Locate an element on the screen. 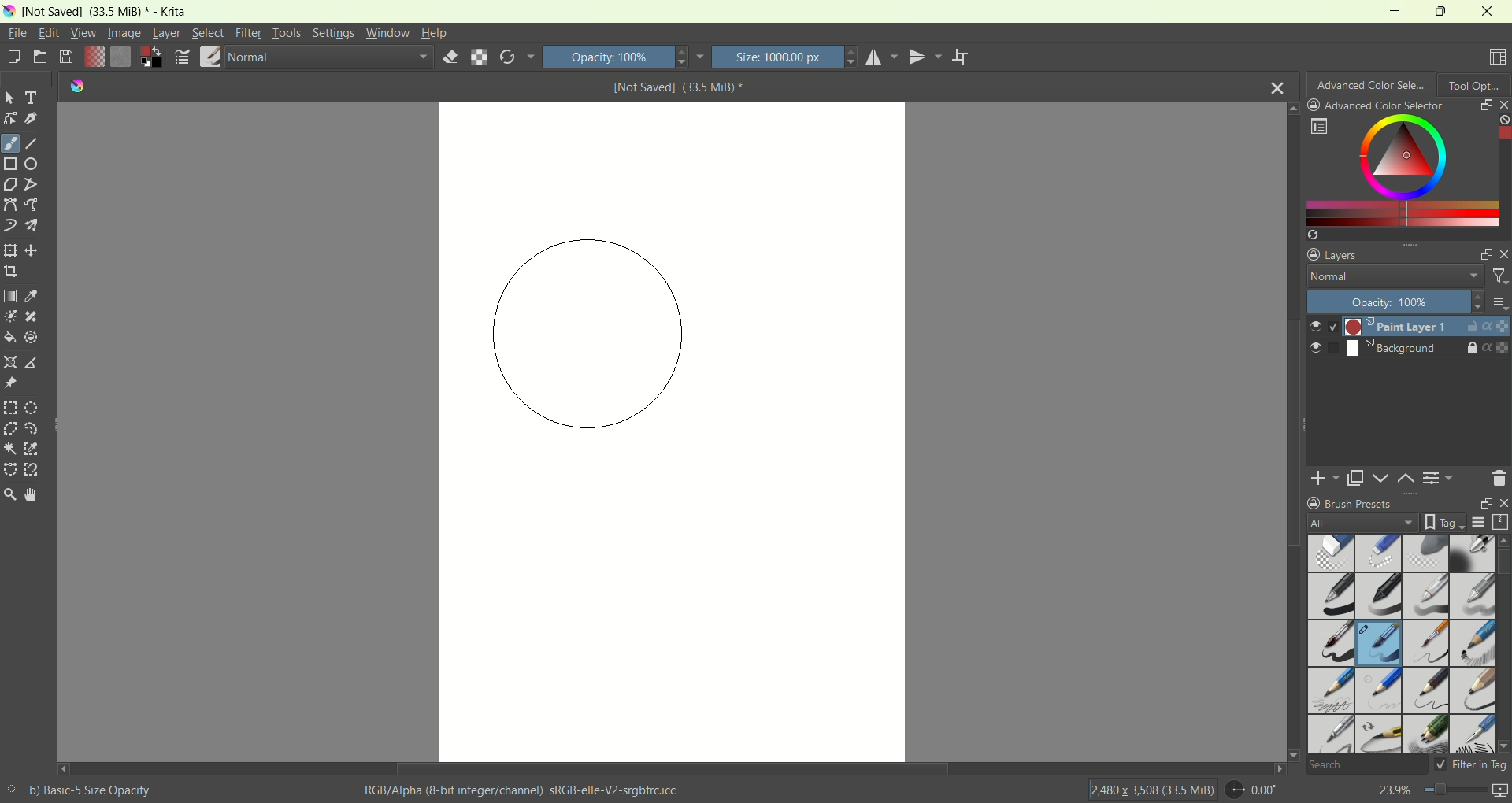 This screenshot has width=1512, height=803. tags is located at coordinates (1440, 522).